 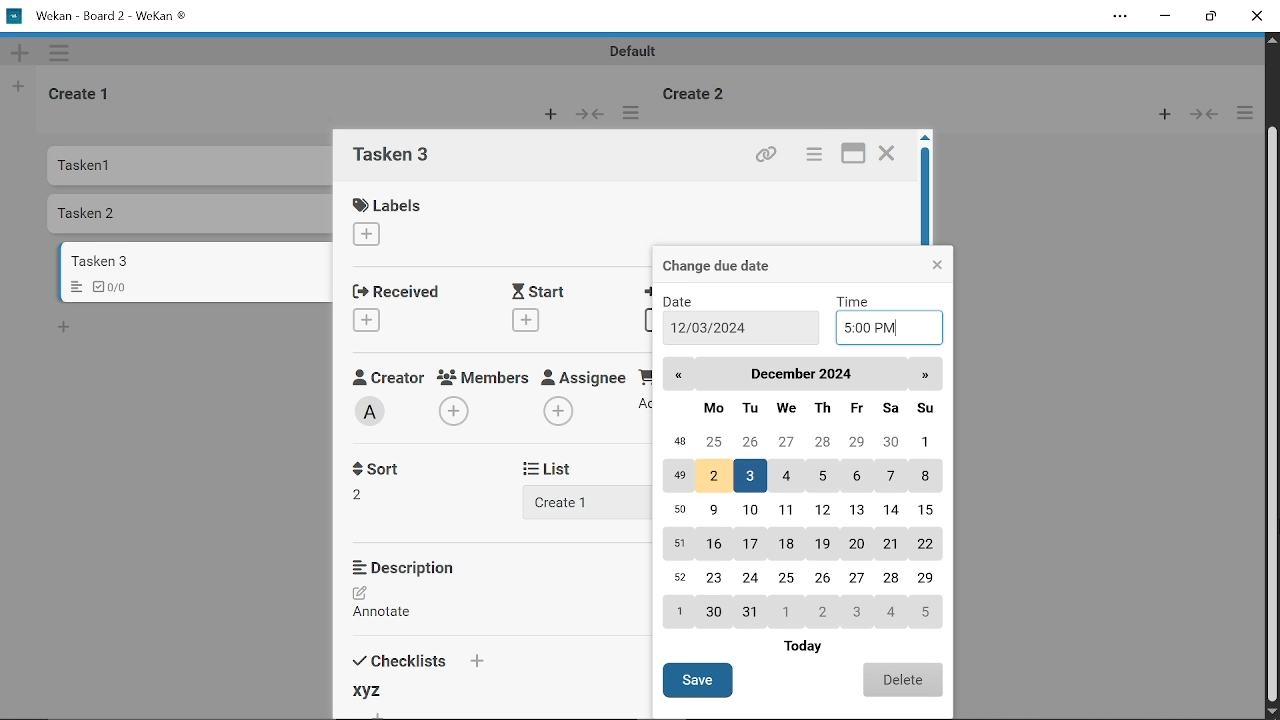 I want to click on Sort, so click(x=369, y=493).